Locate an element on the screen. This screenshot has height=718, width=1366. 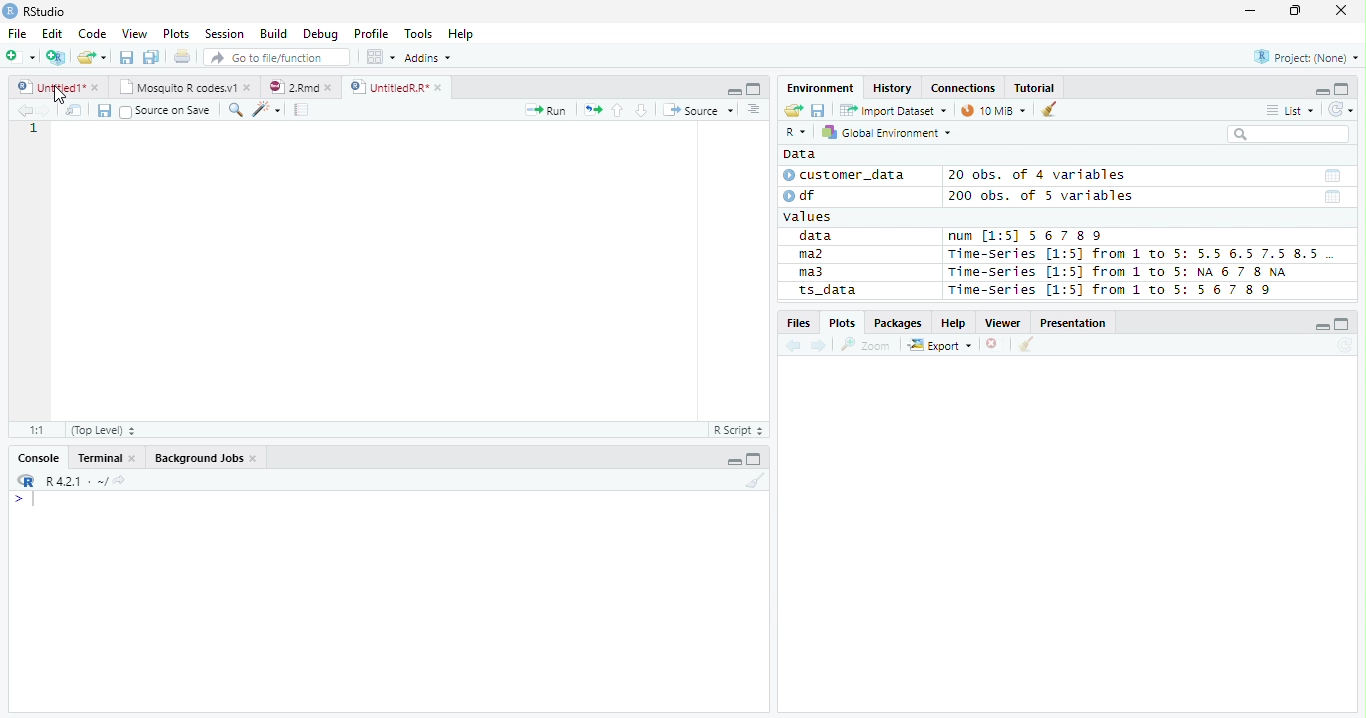
Close is located at coordinates (1340, 11).